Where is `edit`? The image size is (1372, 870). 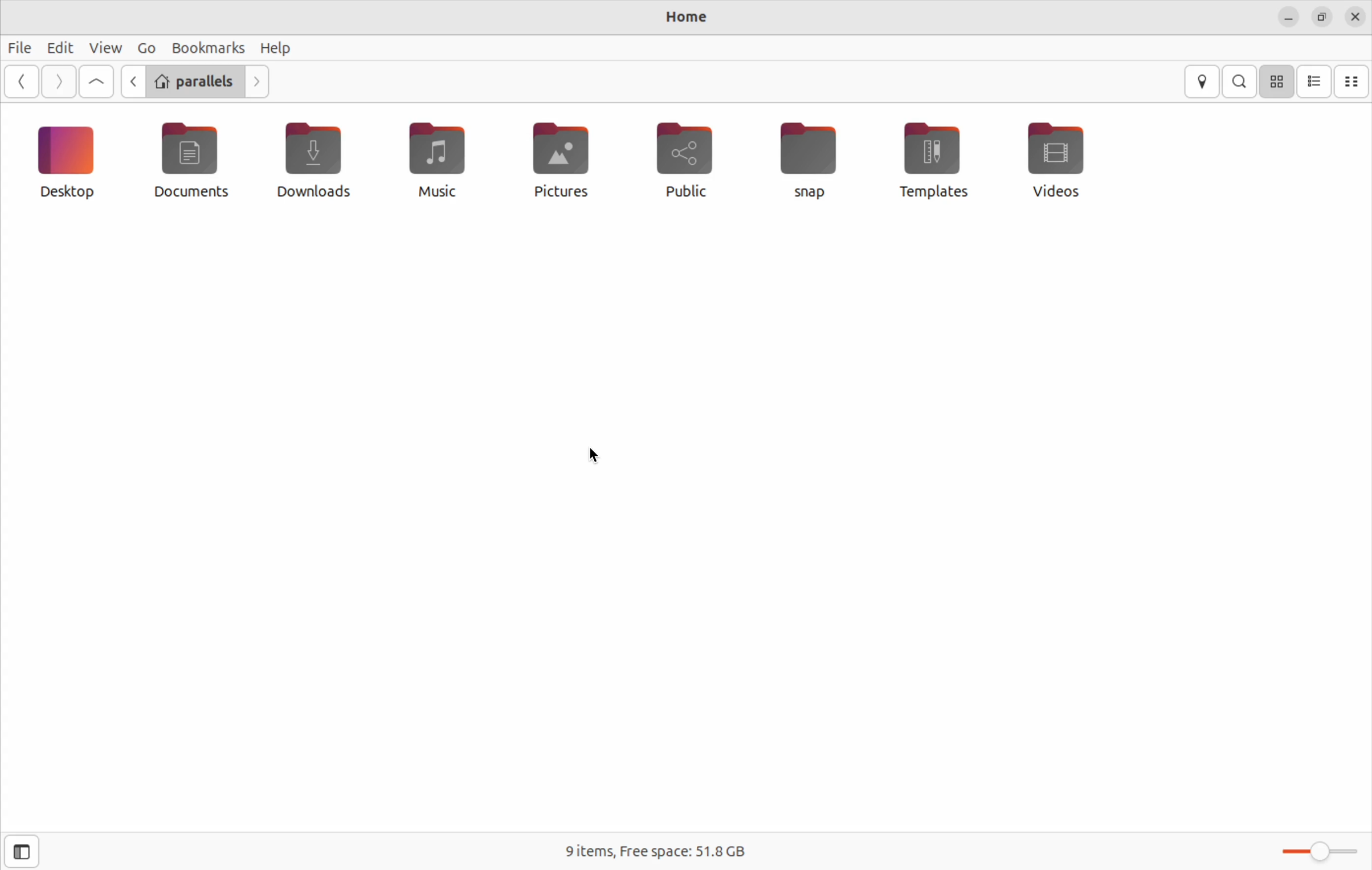
edit is located at coordinates (52, 46).